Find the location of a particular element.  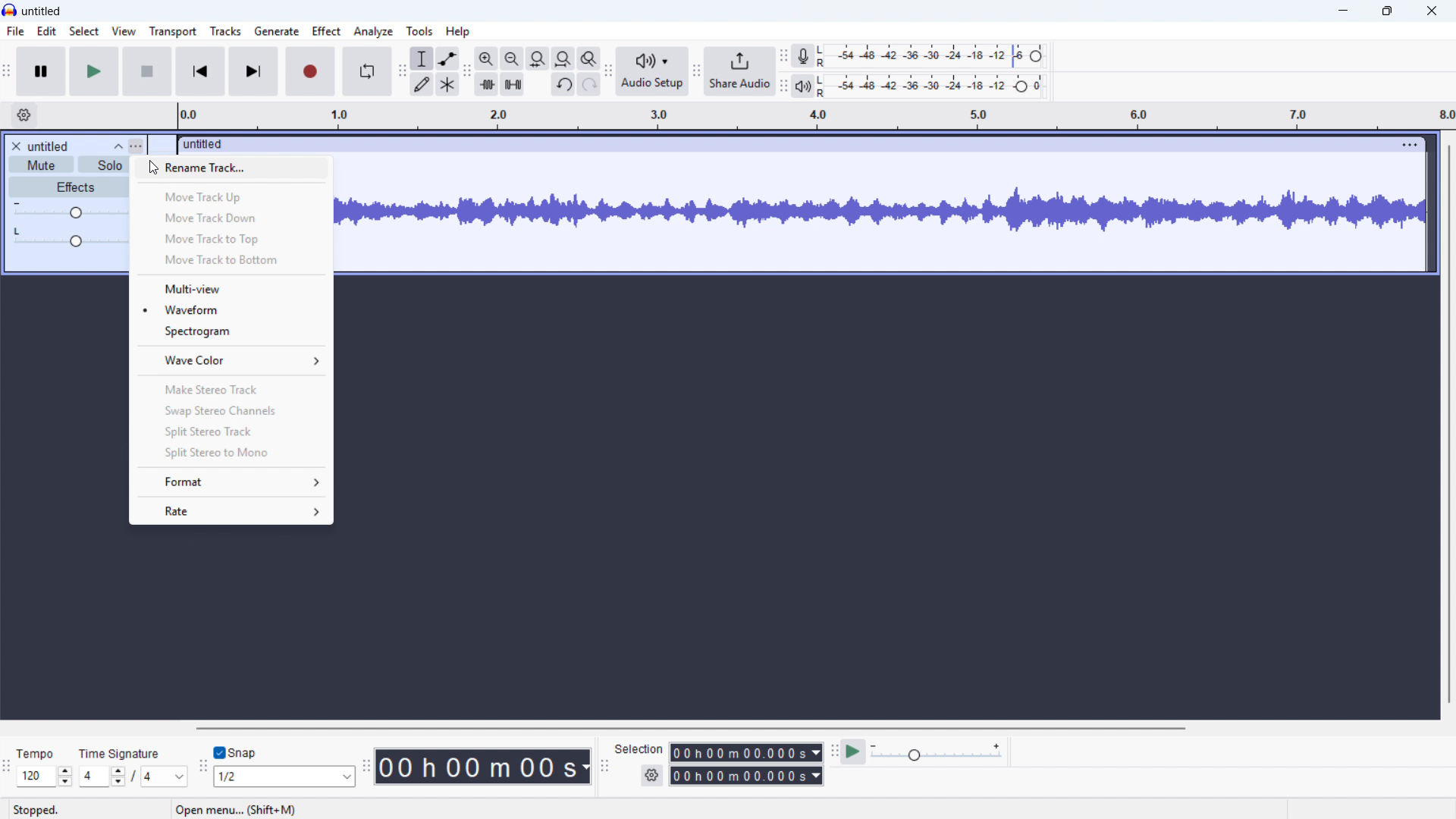

Draw tool  is located at coordinates (422, 84).